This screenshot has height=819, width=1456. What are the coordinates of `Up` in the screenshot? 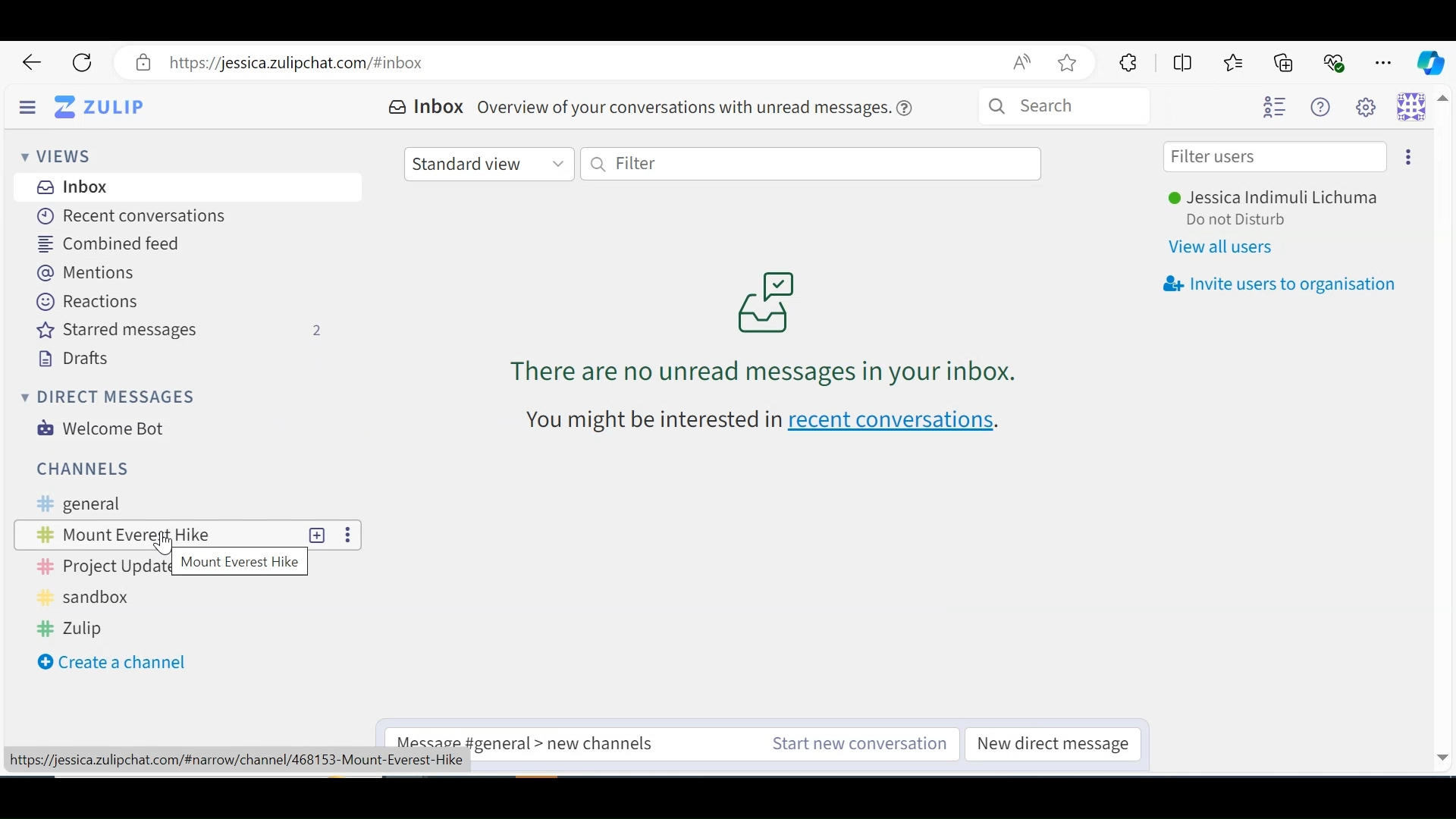 It's located at (1444, 104).